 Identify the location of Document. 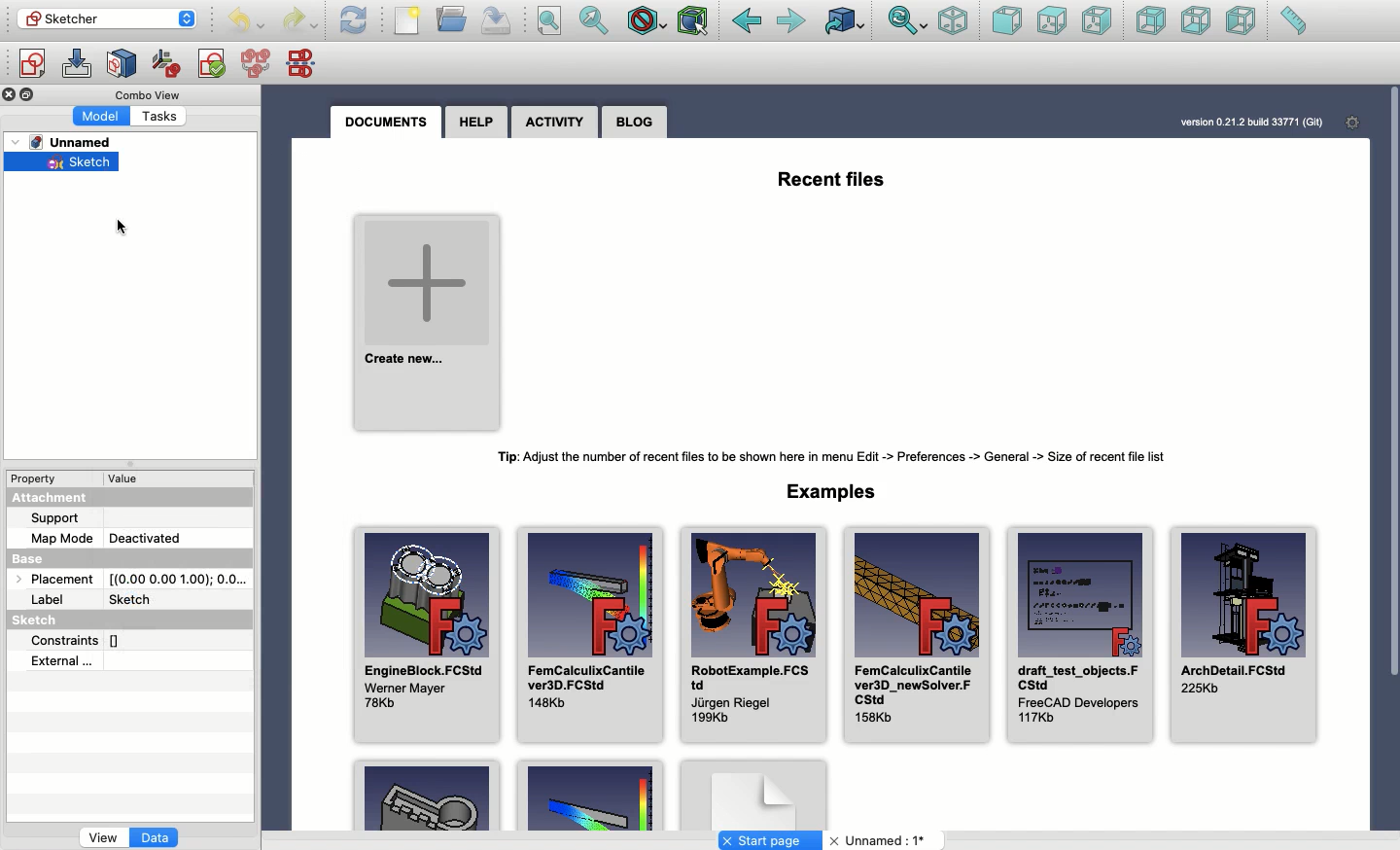
(753, 794).